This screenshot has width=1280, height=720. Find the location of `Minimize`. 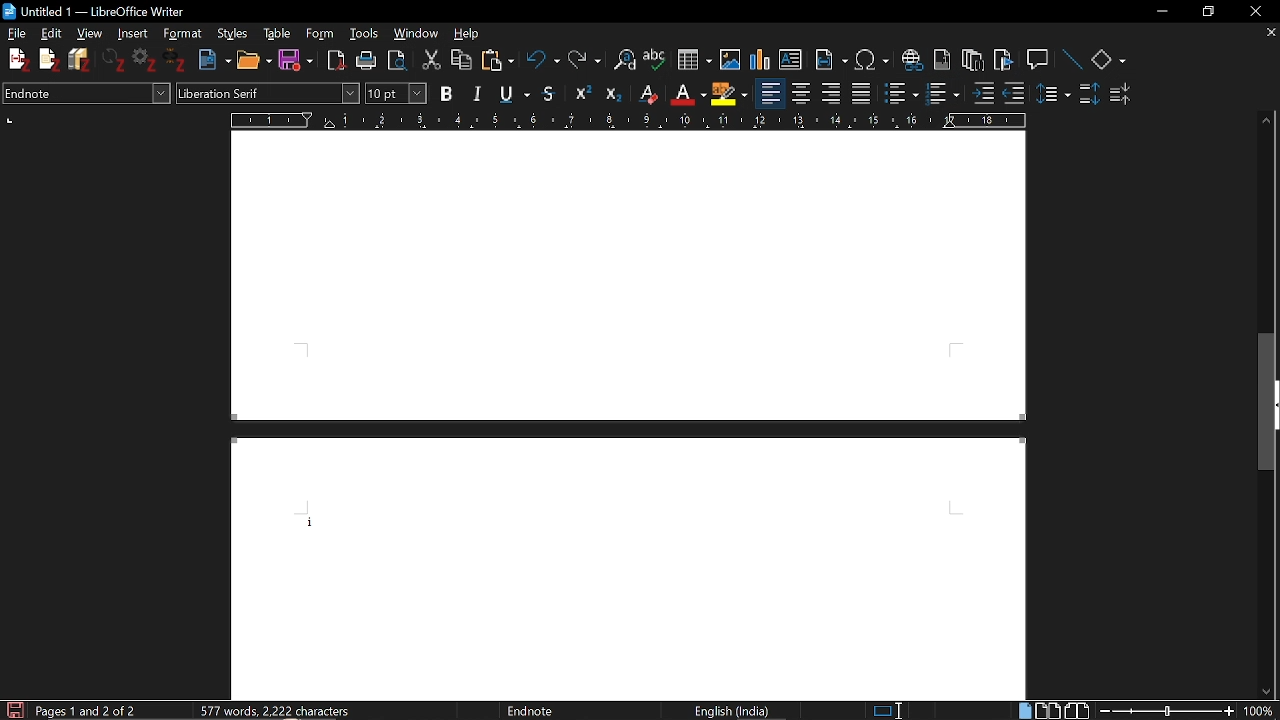

Minimize is located at coordinates (1158, 13).